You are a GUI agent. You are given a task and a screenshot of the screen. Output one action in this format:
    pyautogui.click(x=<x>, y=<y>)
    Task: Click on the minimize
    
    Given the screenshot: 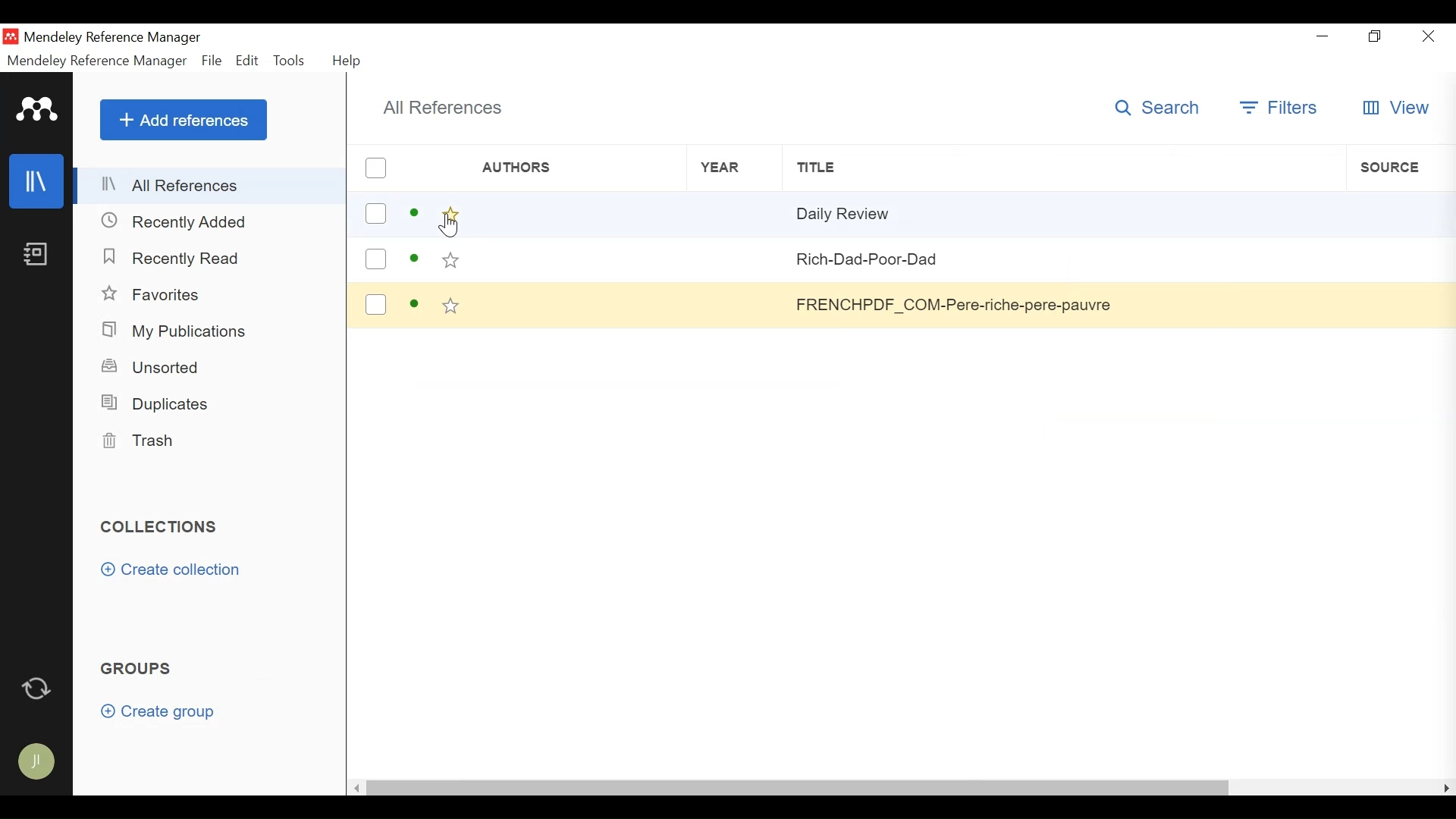 What is the action you would take?
    pyautogui.click(x=1323, y=36)
    